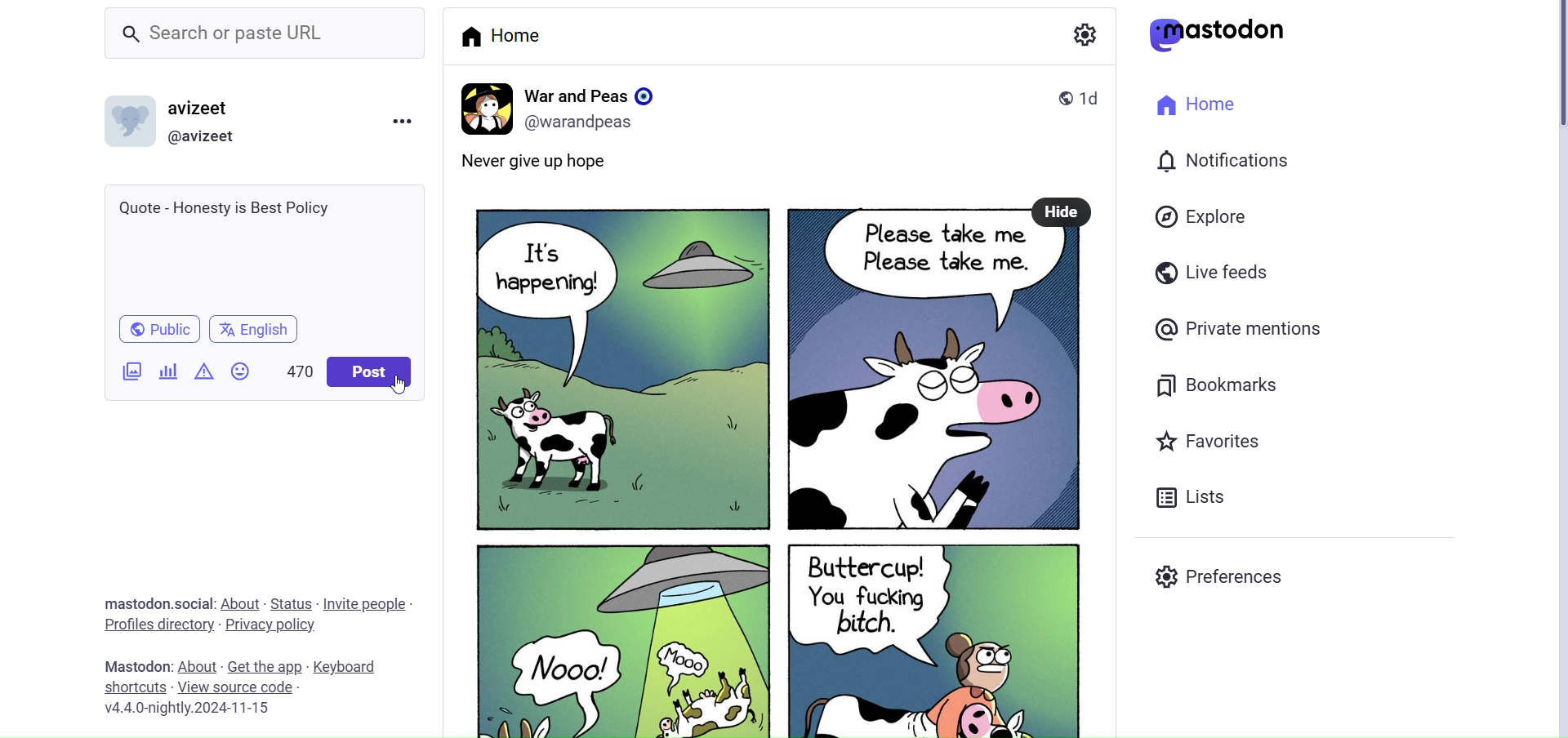  I want to click on v4.4.0-nightly.2024-11-15, so click(187, 710).